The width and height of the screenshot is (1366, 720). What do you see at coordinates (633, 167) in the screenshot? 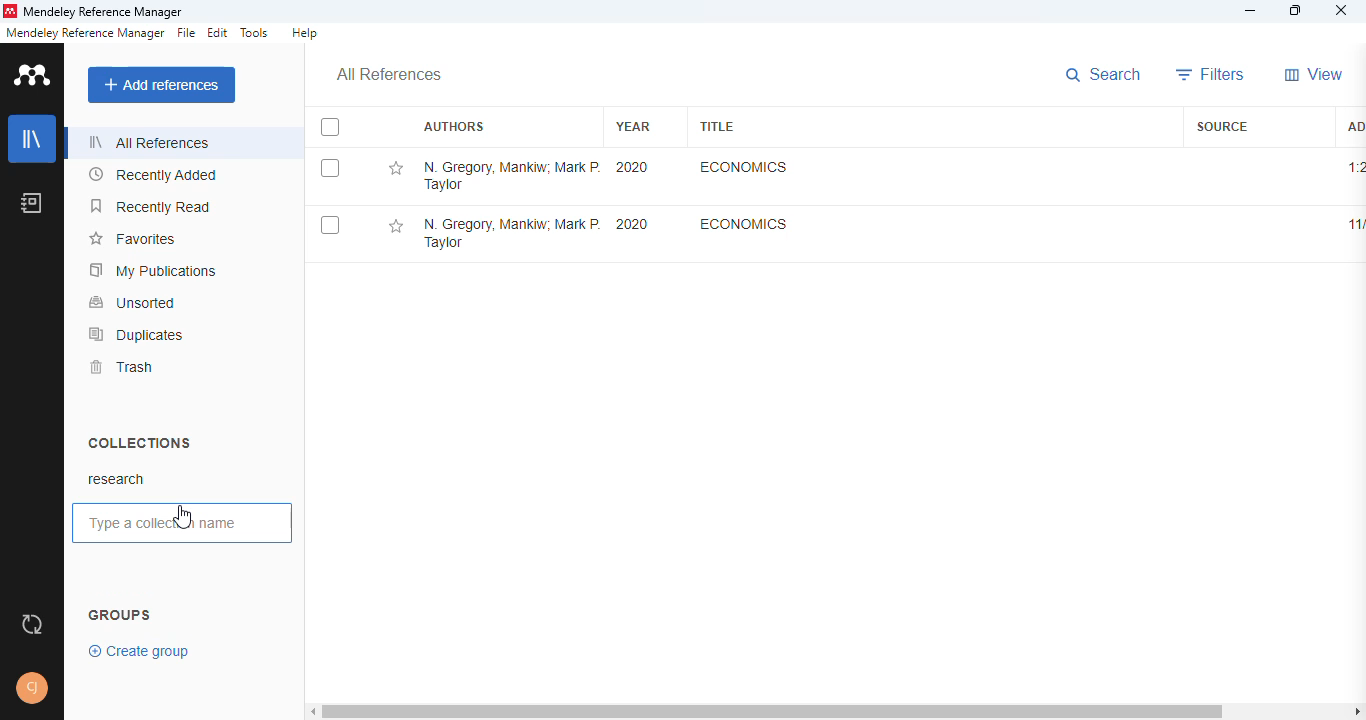
I see `2020` at bounding box center [633, 167].